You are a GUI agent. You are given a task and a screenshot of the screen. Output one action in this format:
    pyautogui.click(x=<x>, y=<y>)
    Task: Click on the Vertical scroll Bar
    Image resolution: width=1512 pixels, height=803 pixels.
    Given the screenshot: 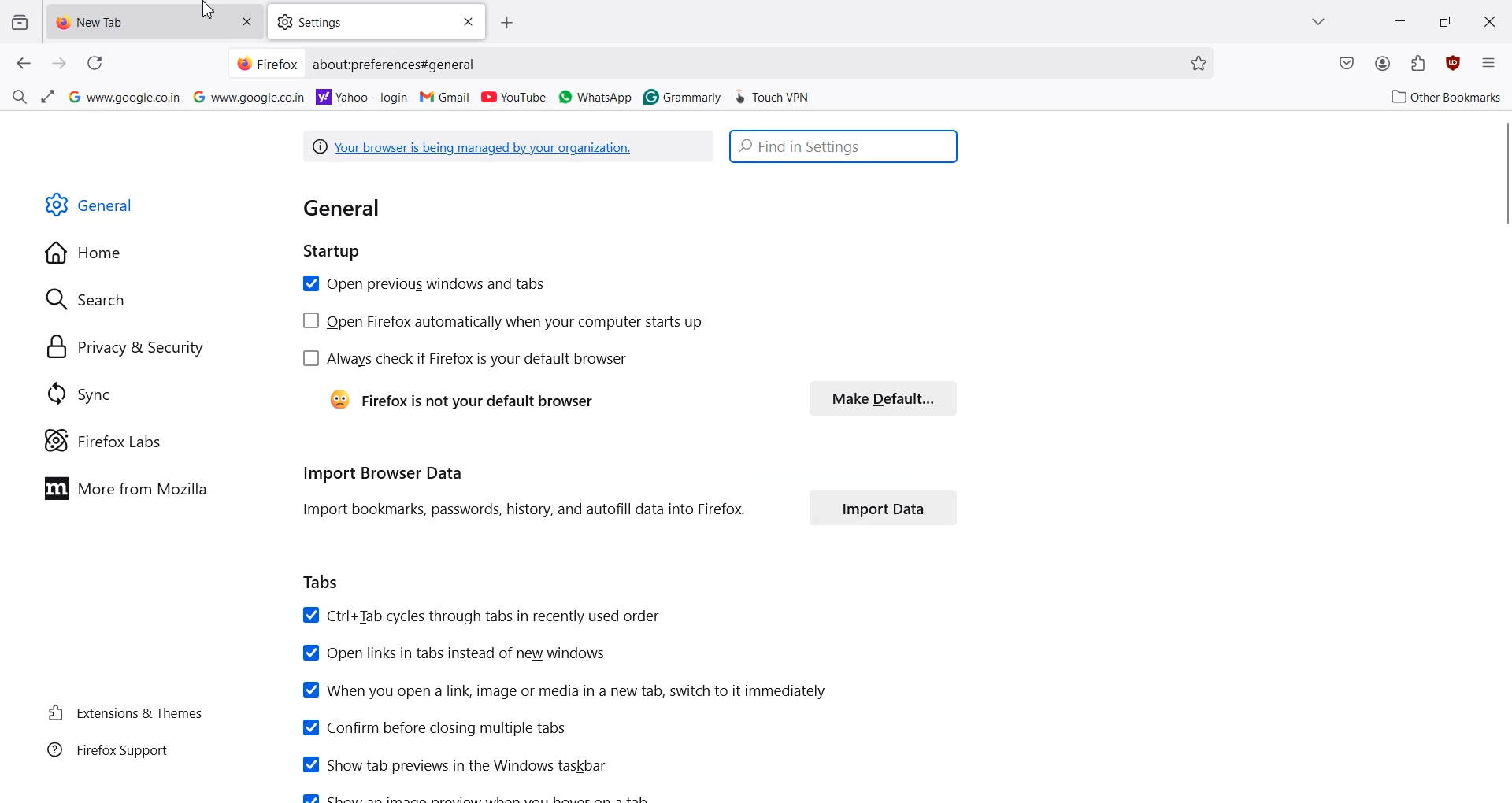 What is the action you would take?
    pyautogui.click(x=1503, y=171)
    